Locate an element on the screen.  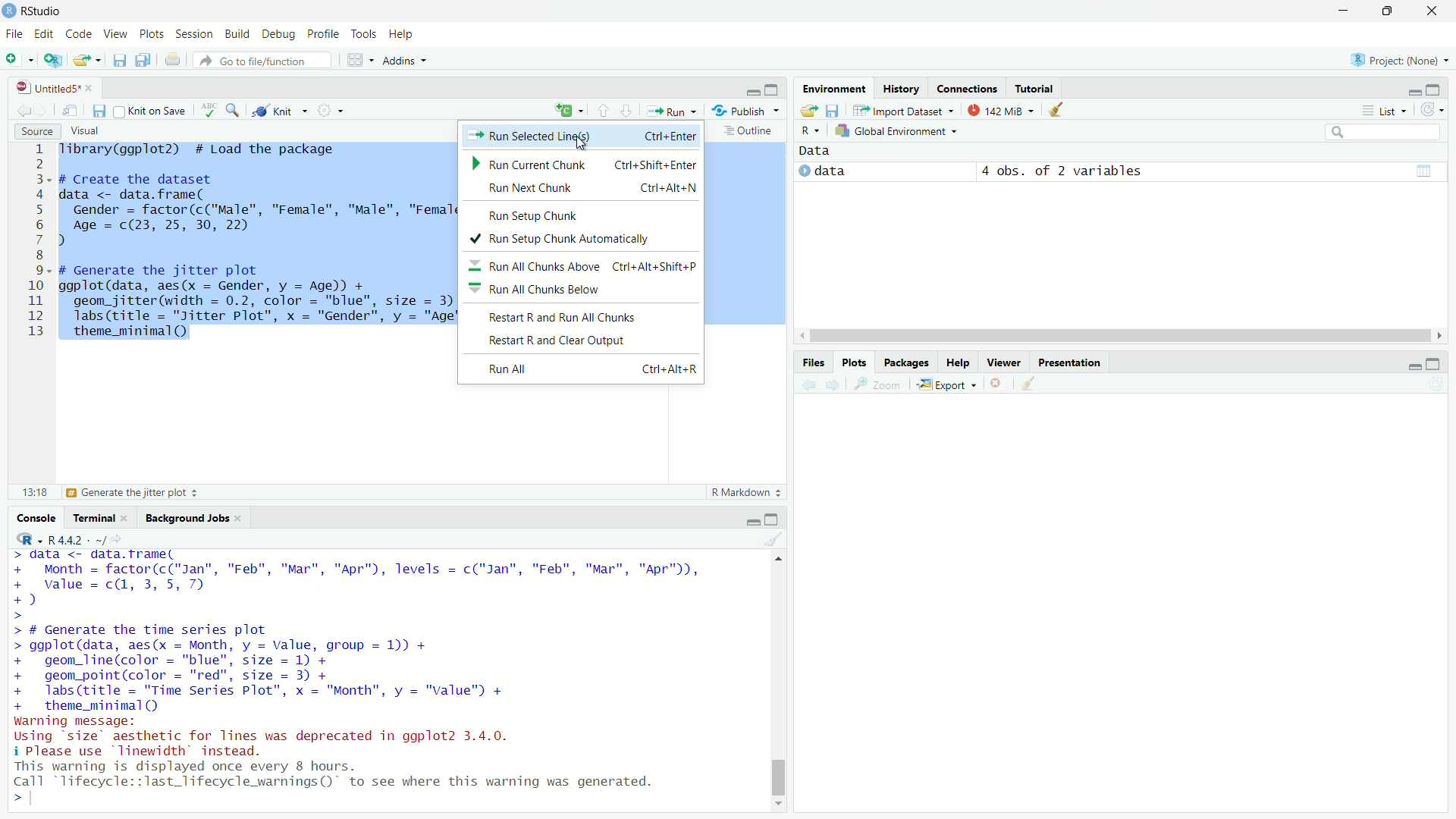
library to load the package is located at coordinates (207, 149).